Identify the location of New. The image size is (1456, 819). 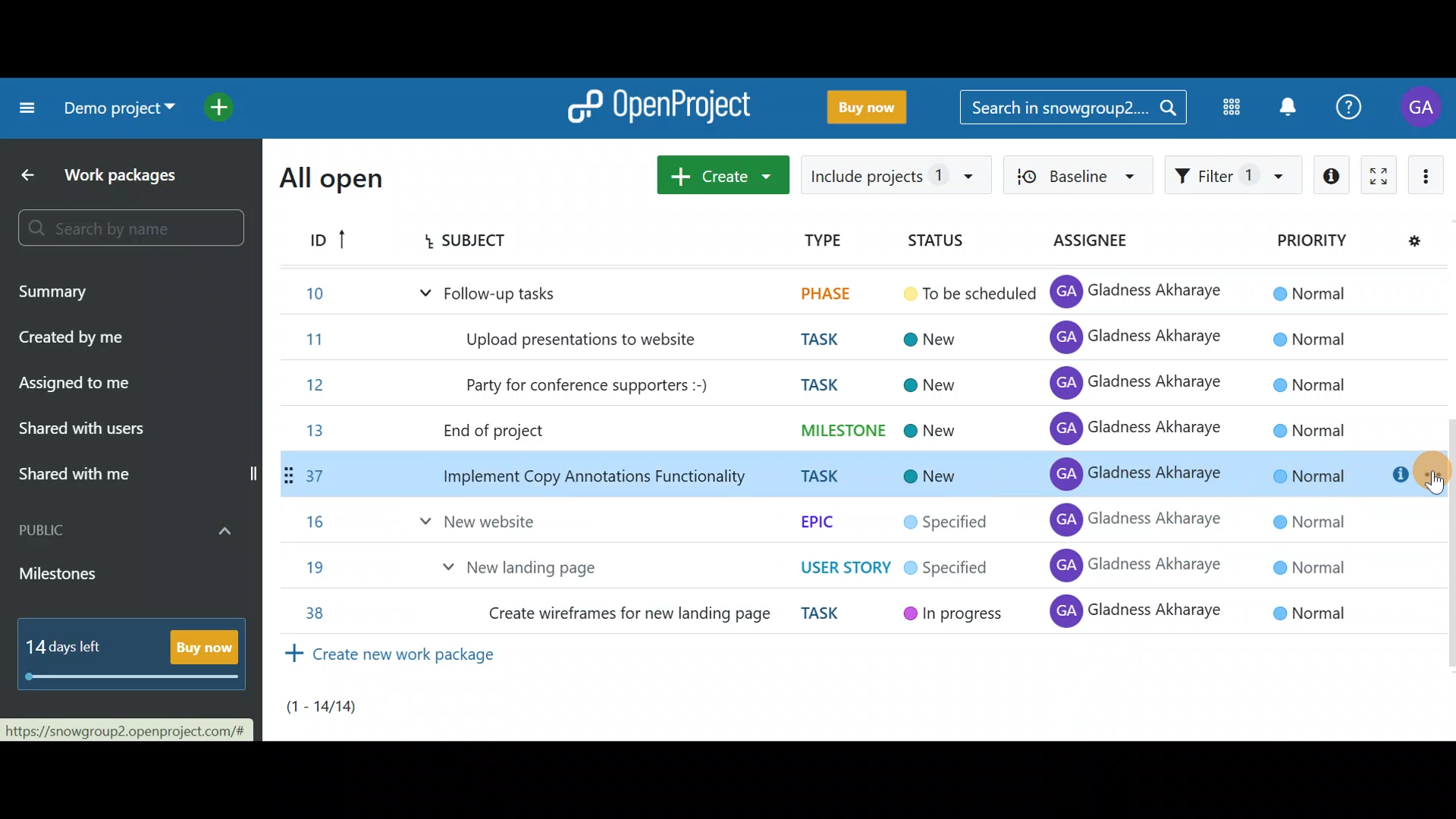
(937, 340).